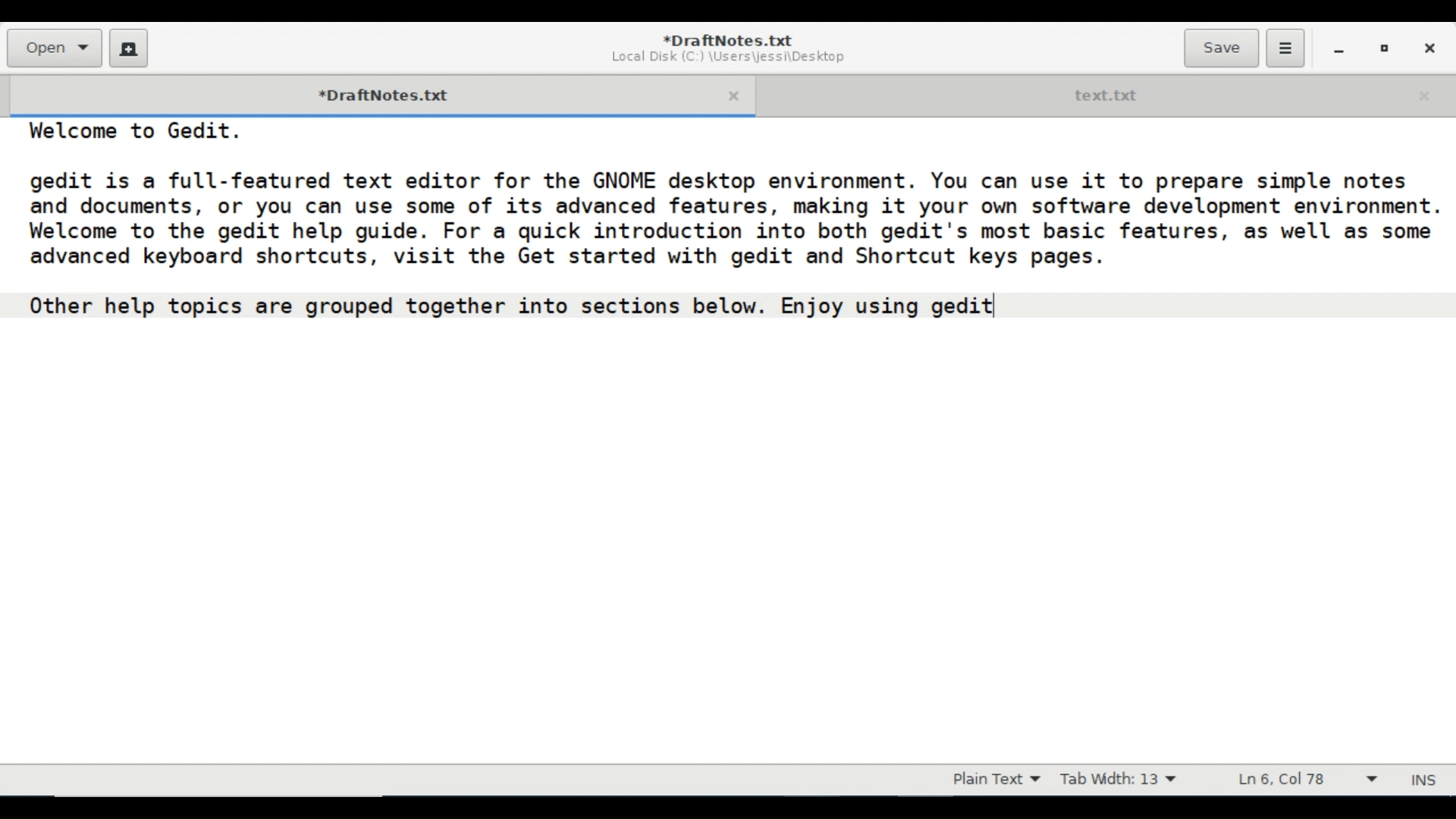  I want to click on Line & Column, so click(1307, 780).